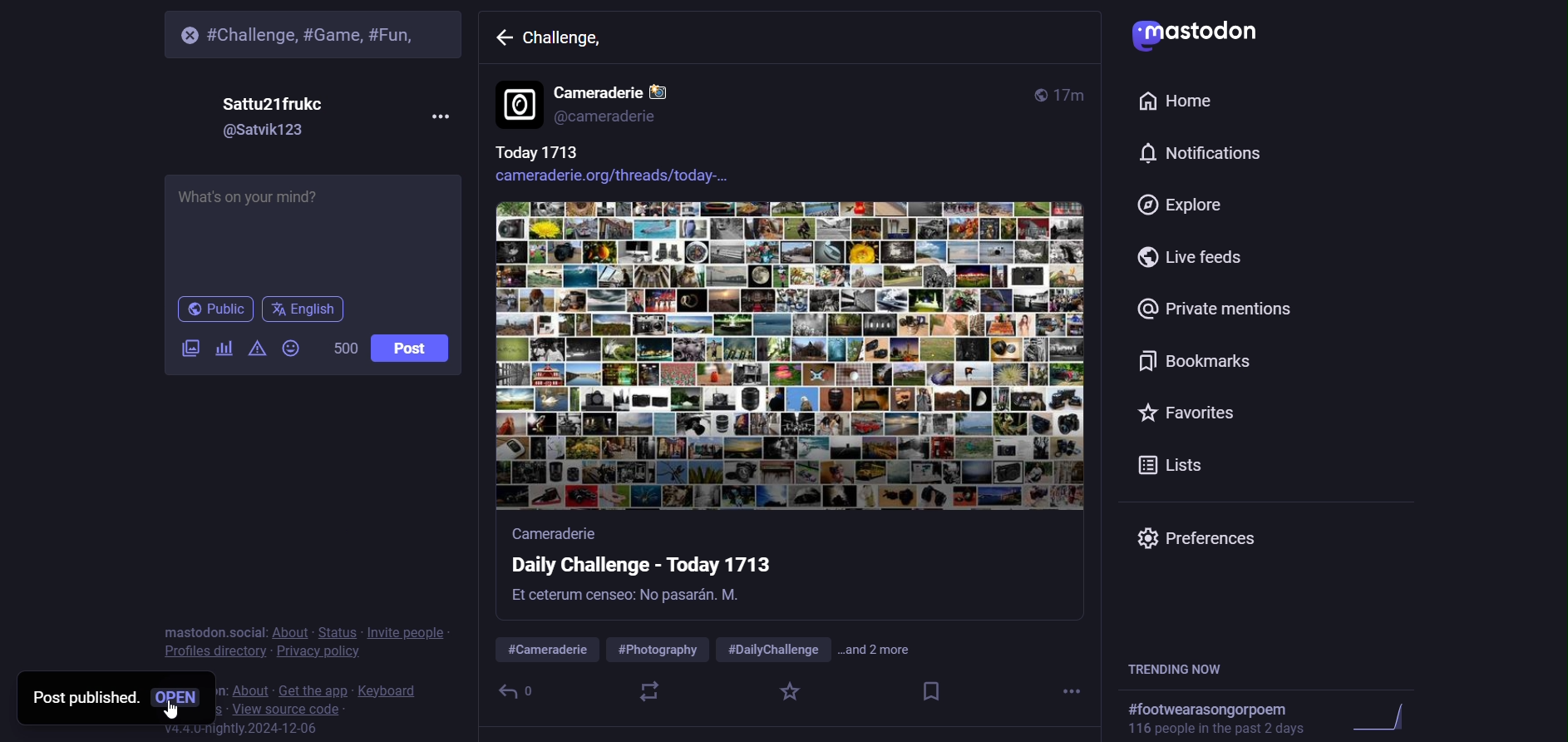 The image size is (1568, 742). I want to click on about, so click(288, 631).